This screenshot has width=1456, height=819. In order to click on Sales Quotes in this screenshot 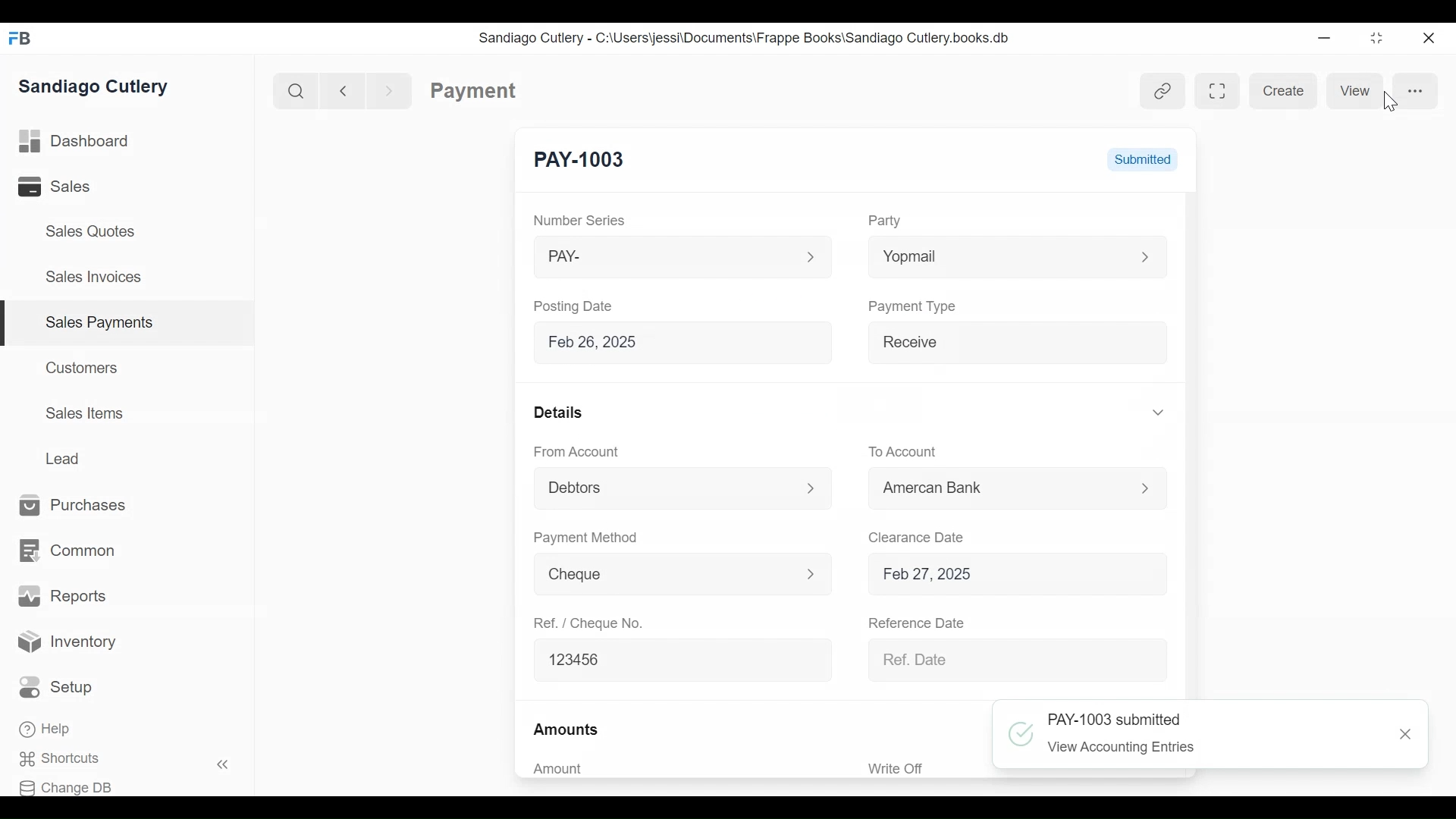, I will do `click(89, 231)`.